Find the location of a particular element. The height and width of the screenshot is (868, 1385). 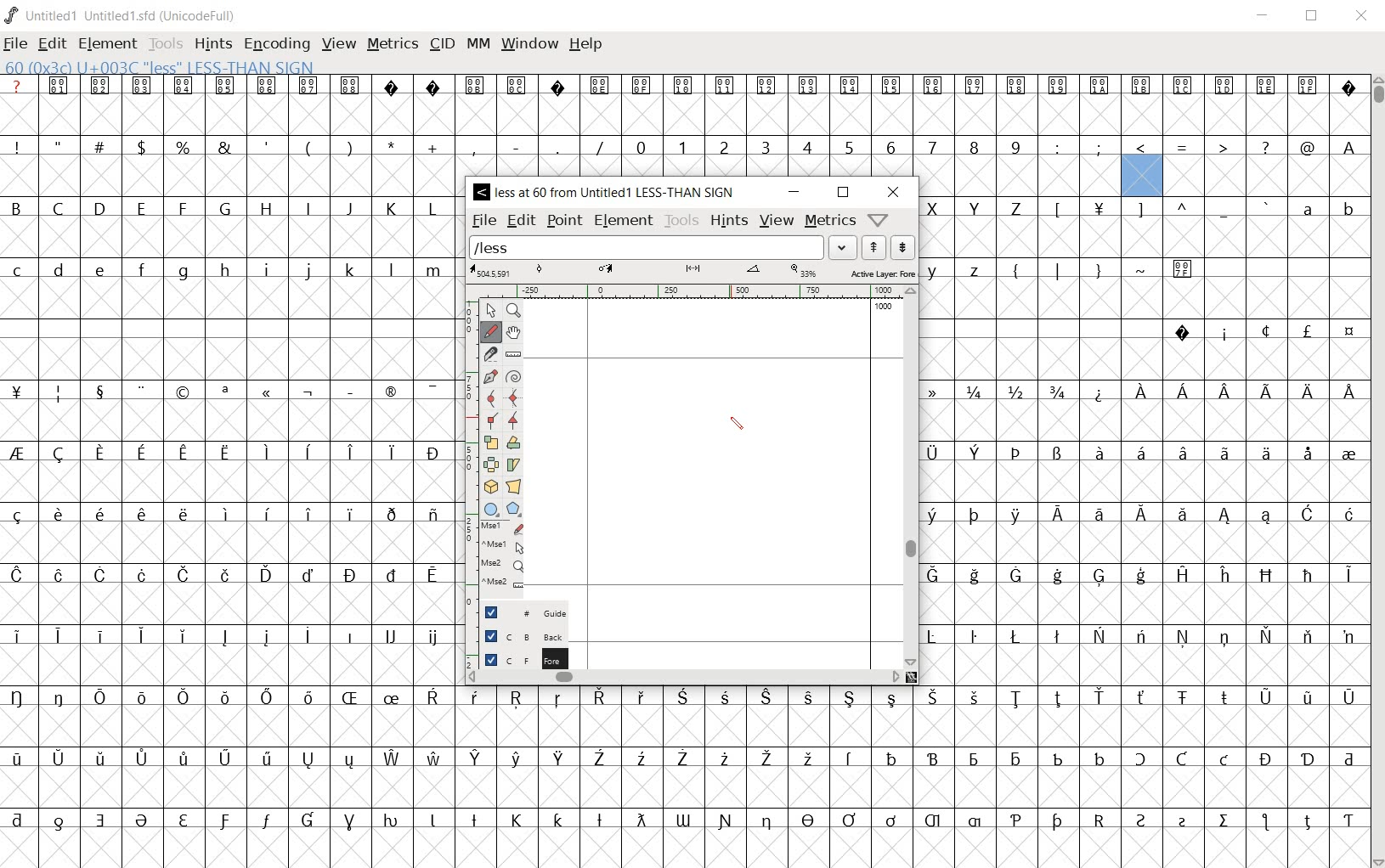

special letters is located at coordinates (687, 818).